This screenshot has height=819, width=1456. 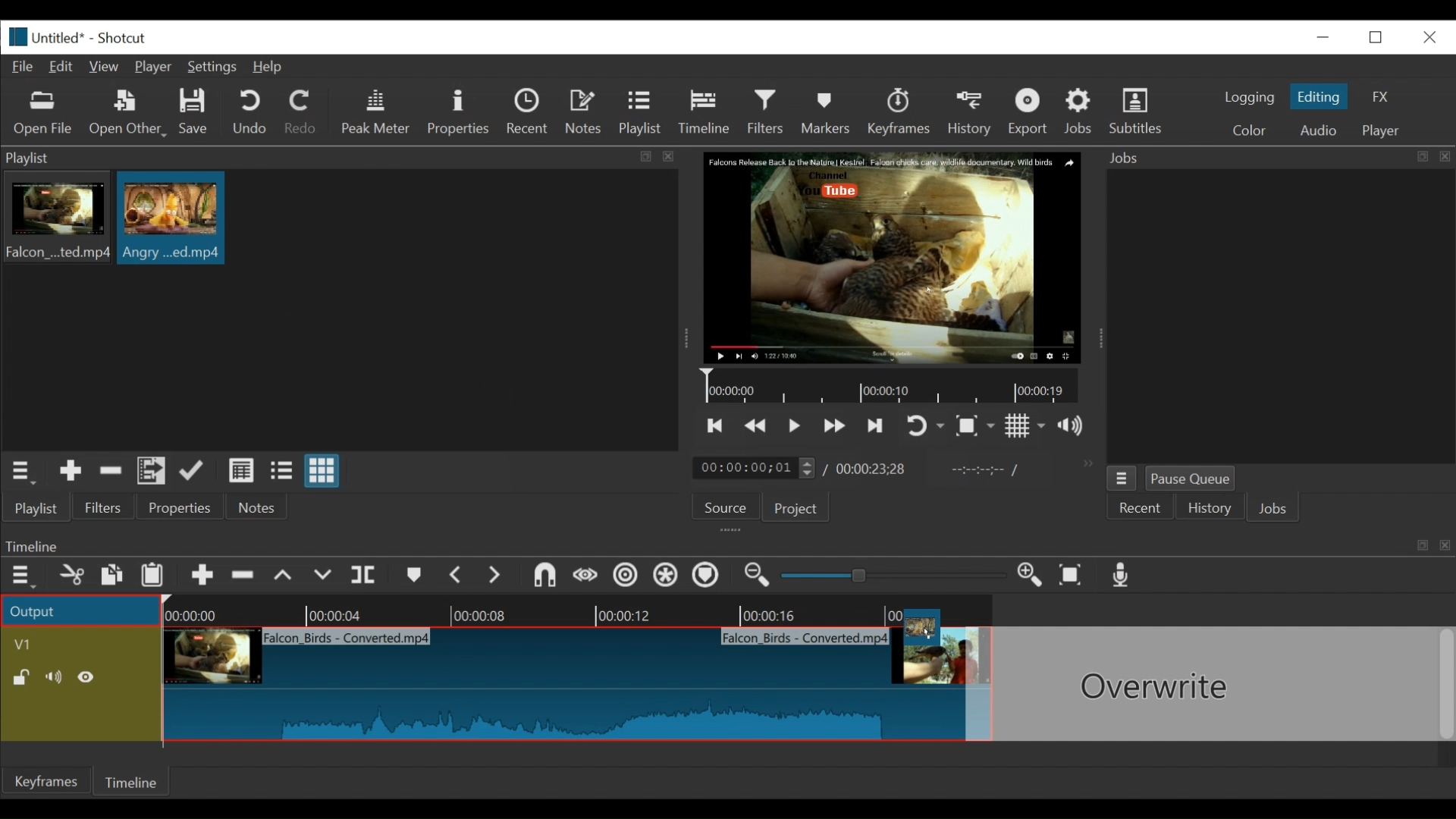 What do you see at coordinates (1210, 510) in the screenshot?
I see `History` at bounding box center [1210, 510].